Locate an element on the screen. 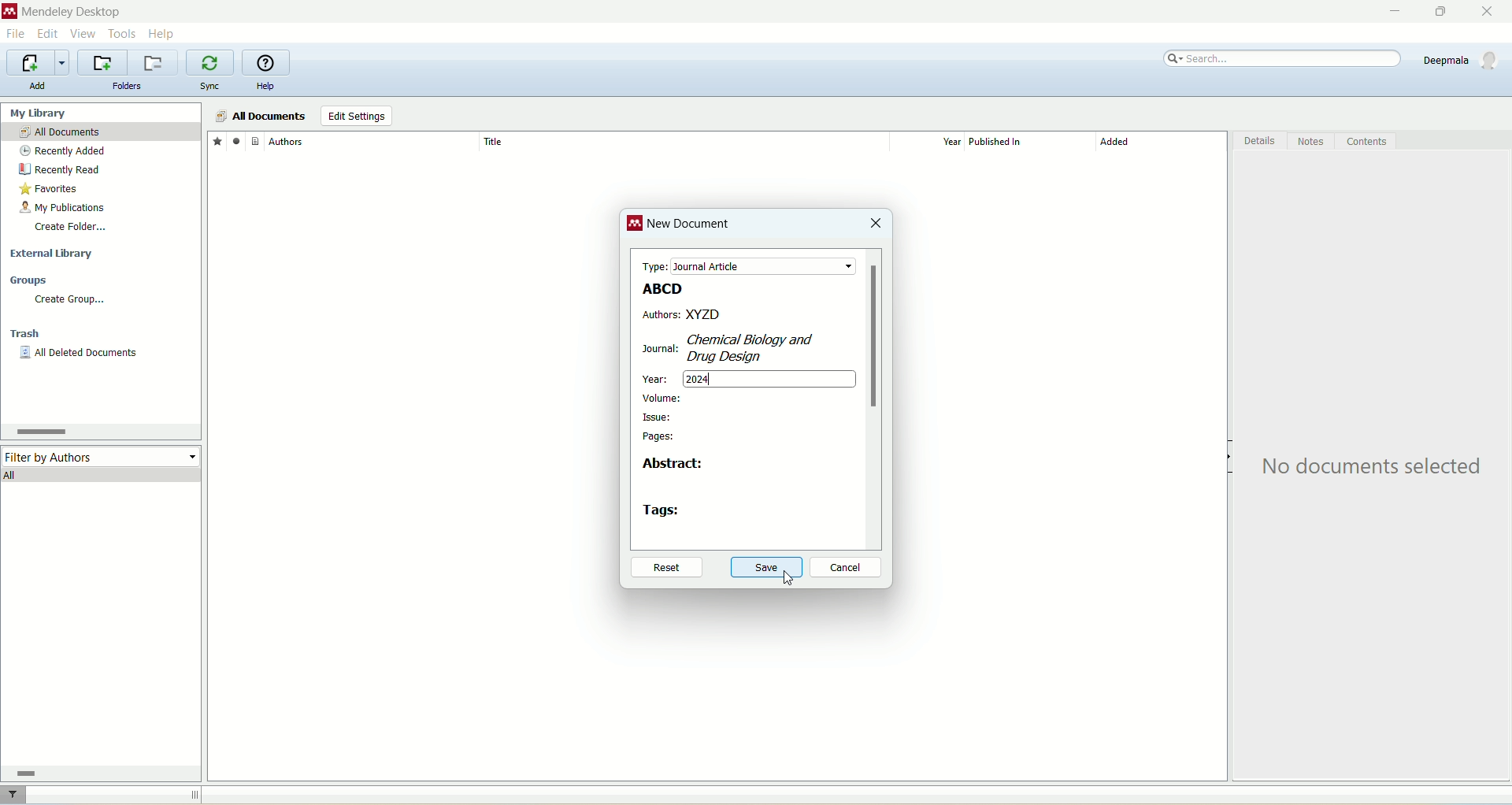 Image resolution: width=1512 pixels, height=805 pixels. create a new folder is located at coordinates (102, 63).